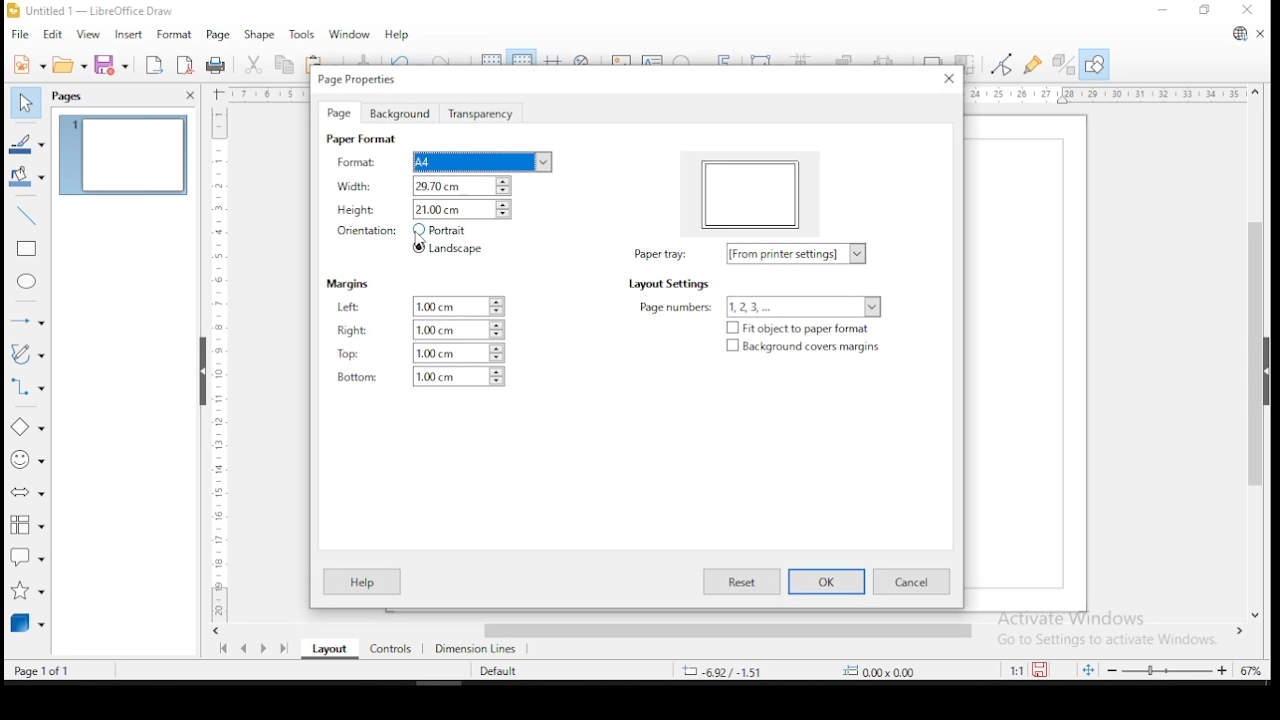 The image size is (1280, 720). Describe the element at coordinates (419, 377) in the screenshot. I see `bottom margin settings` at that location.